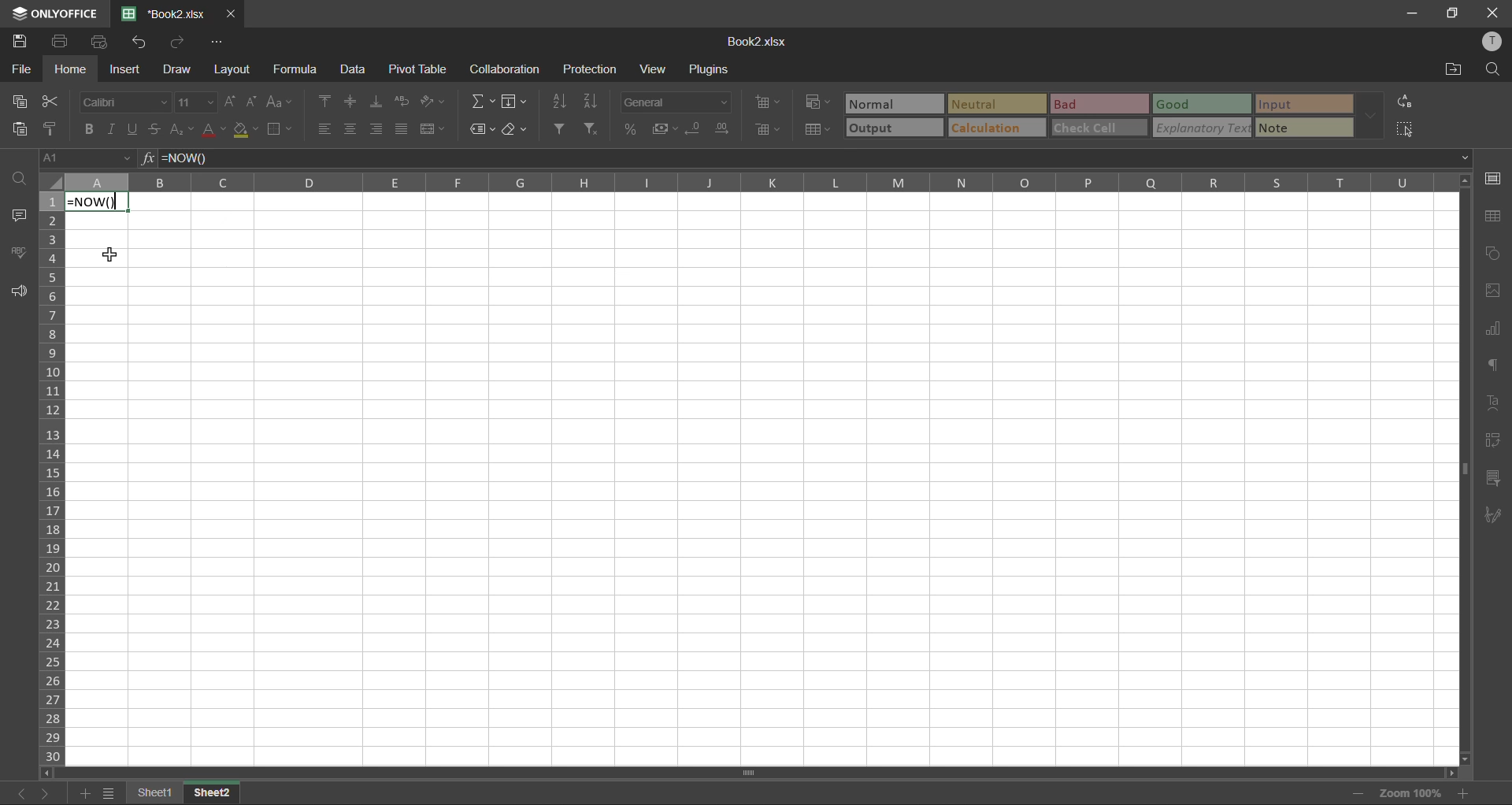 This screenshot has width=1512, height=805. I want to click on filter, so click(561, 129).